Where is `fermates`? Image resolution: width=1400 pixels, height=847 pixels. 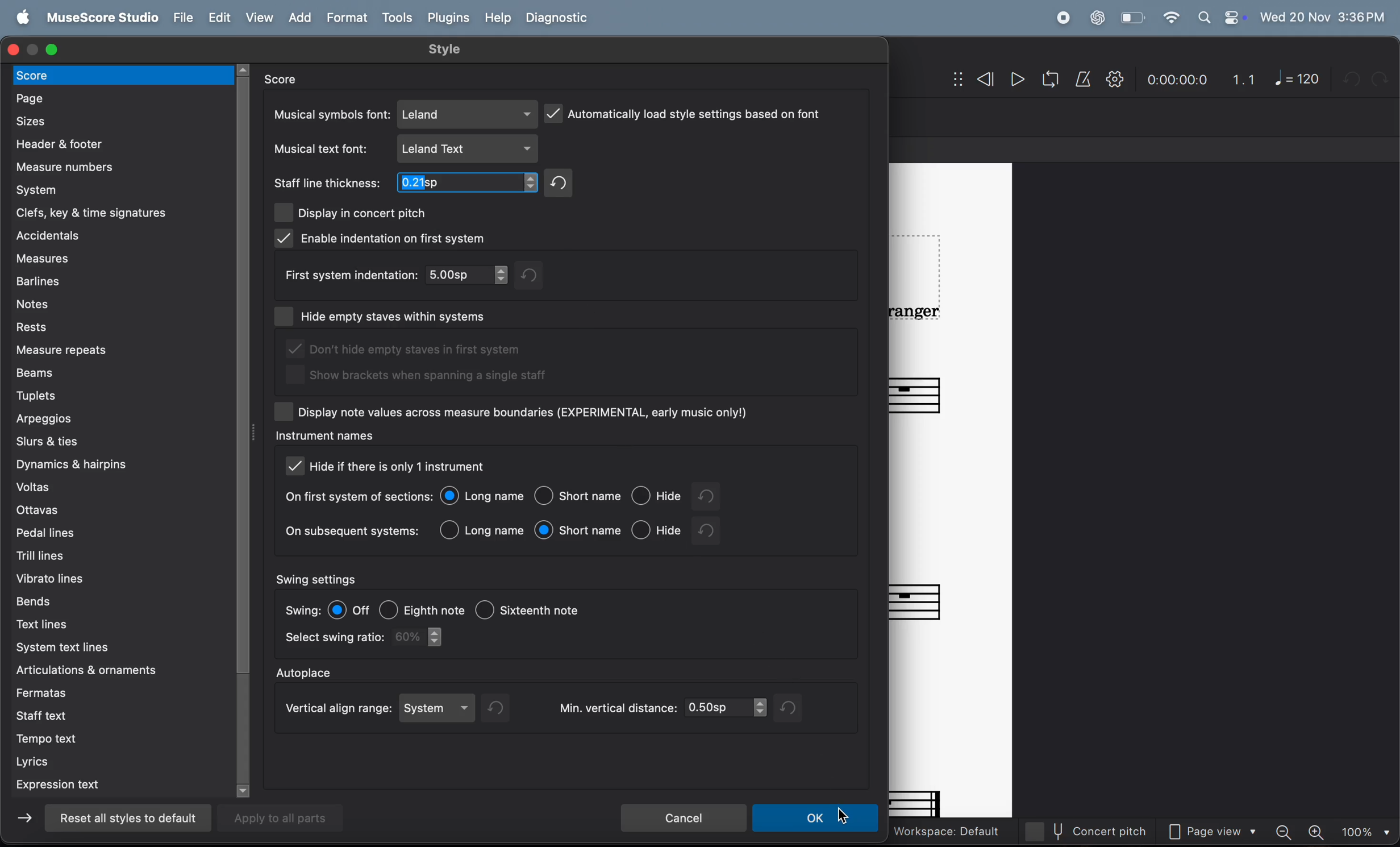
fermates is located at coordinates (116, 691).